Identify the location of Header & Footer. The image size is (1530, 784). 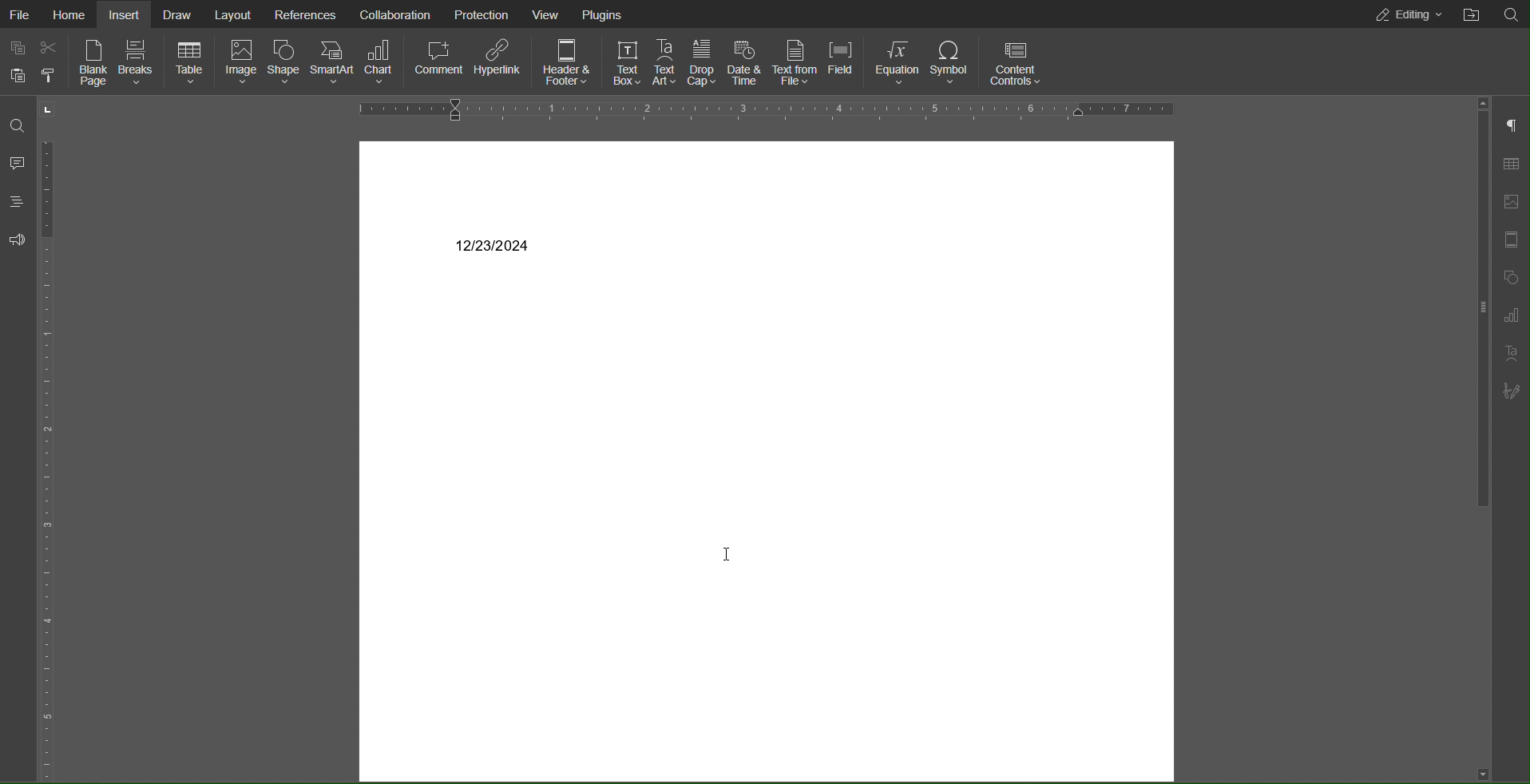
(1515, 241).